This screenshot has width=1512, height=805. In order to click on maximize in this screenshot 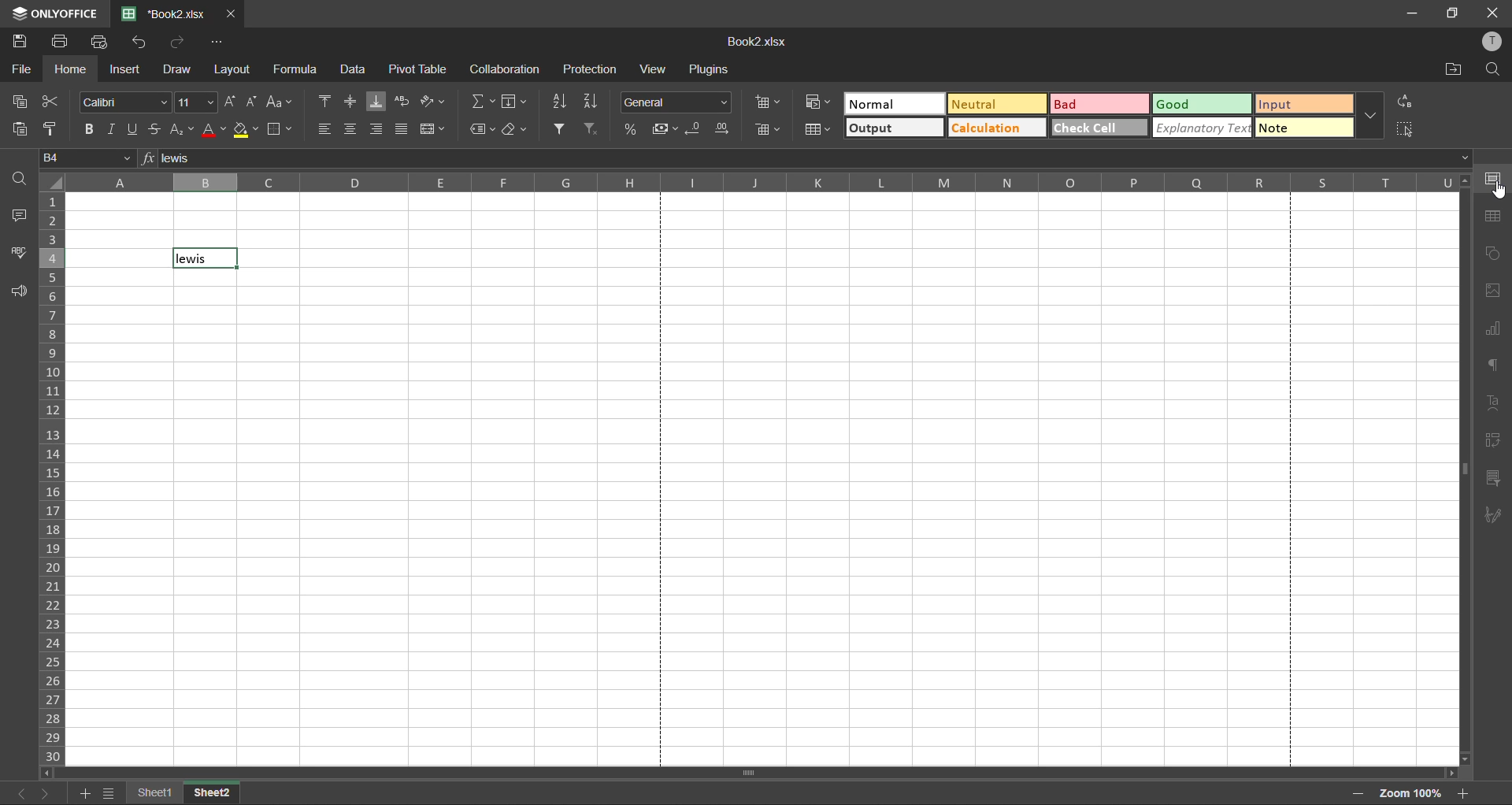, I will do `click(1454, 13)`.